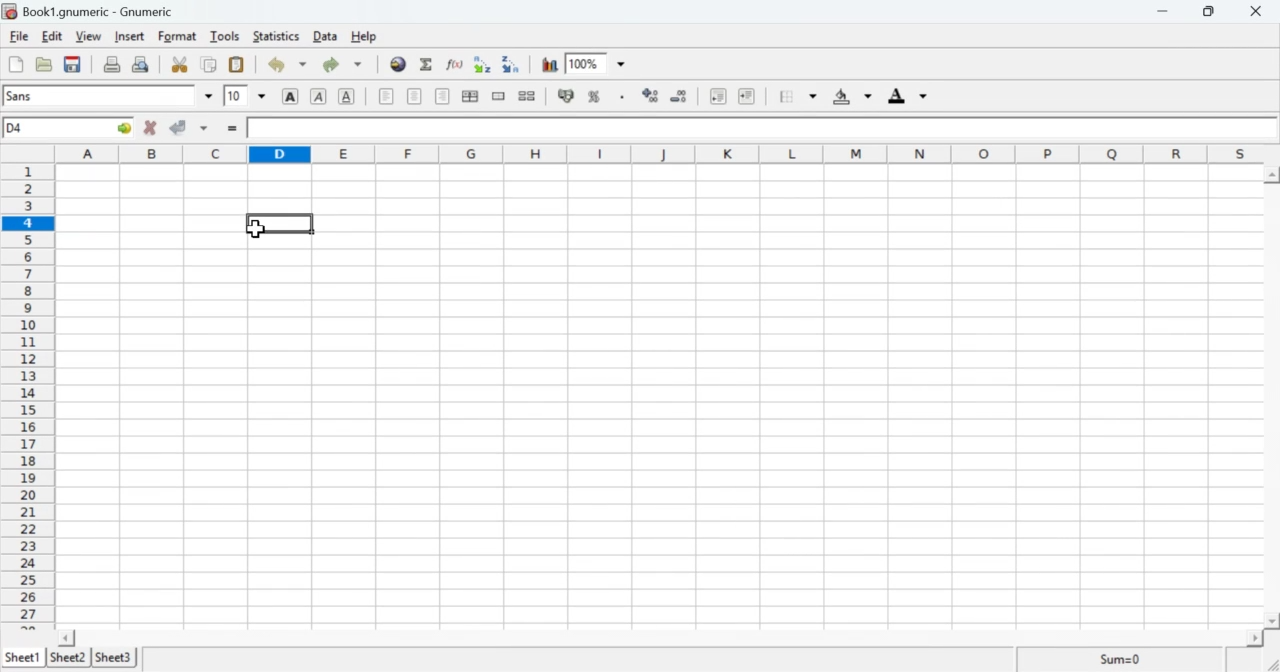  I want to click on Worksheet, so click(659, 395).